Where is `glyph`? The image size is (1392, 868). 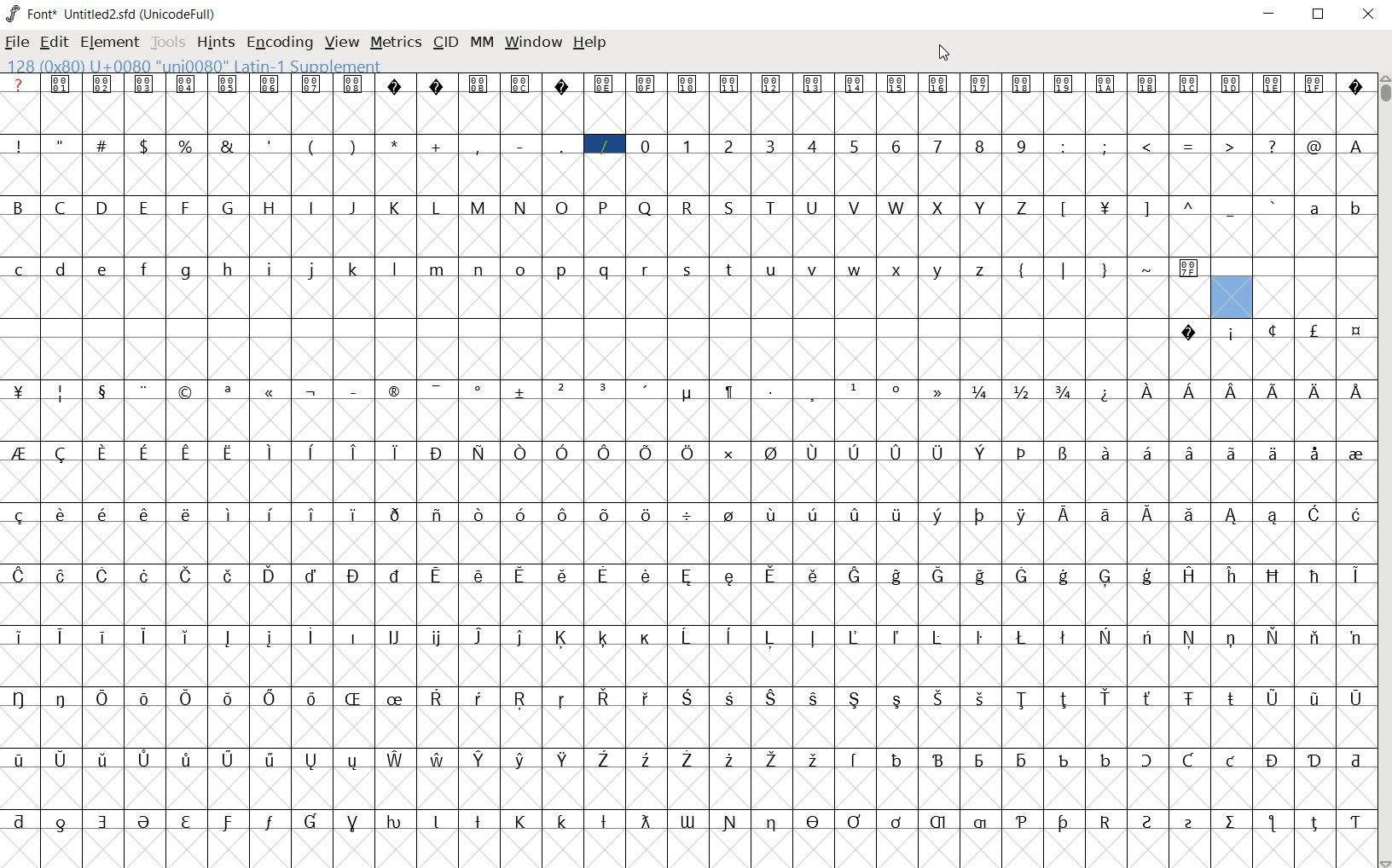
glyph is located at coordinates (772, 514).